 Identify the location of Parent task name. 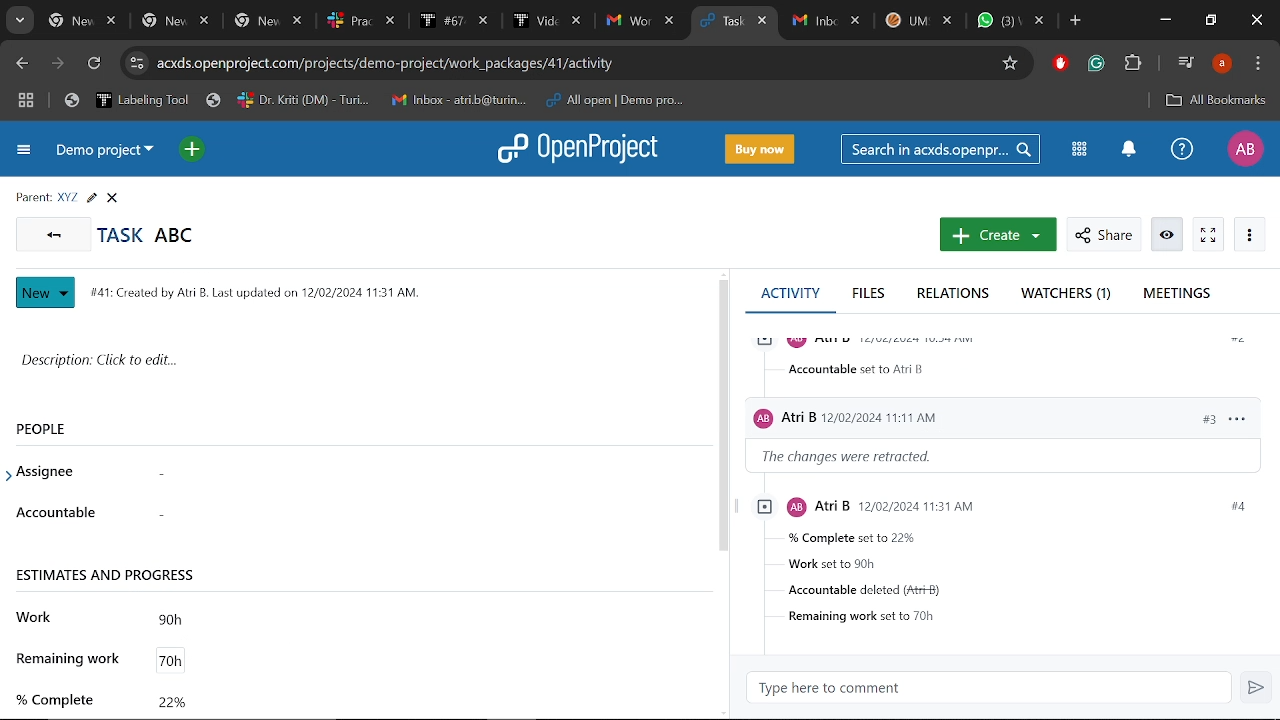
(66, 198).